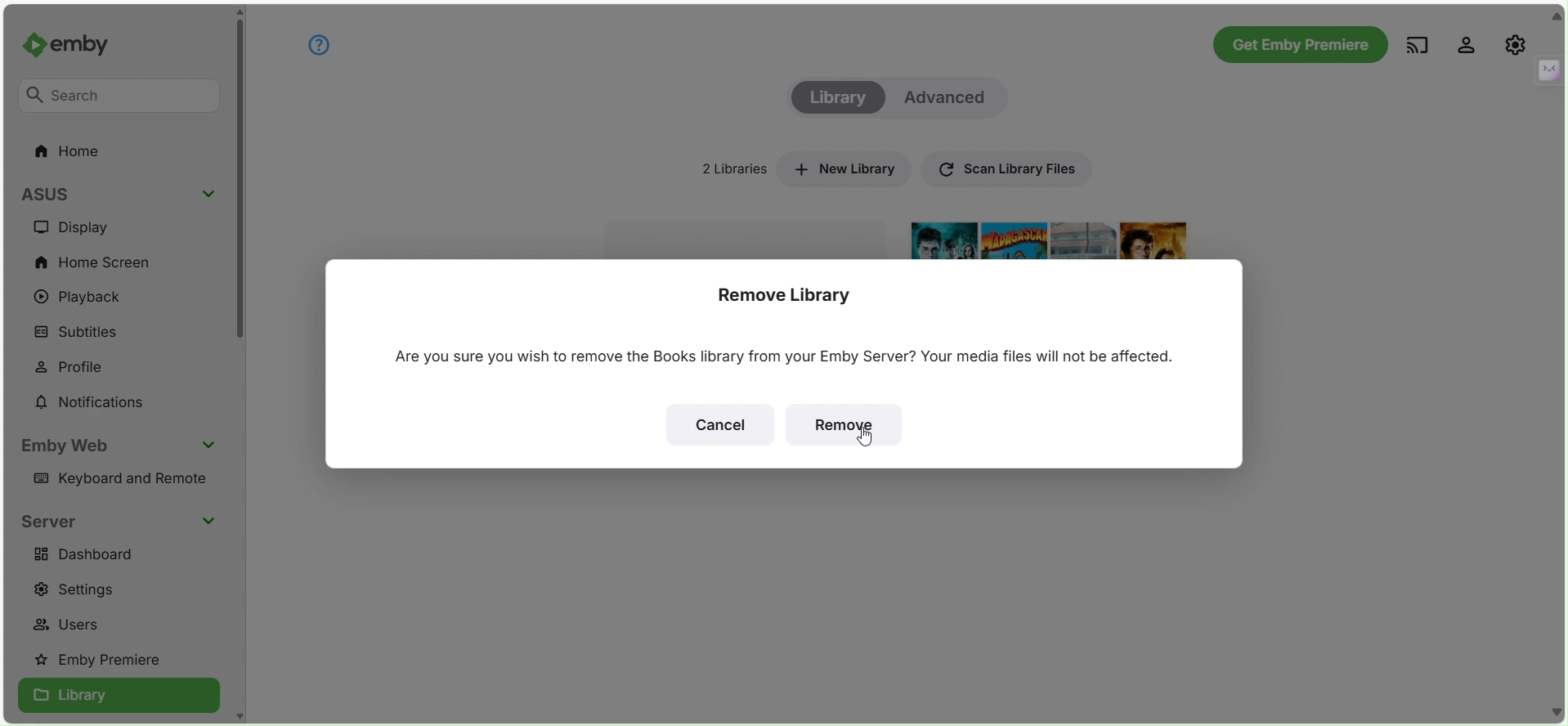 This screenshot has height=726, width=1568. What do you see at coordinates (1004, 167) in the screenshot?
I see `Scan Library Files` at bounding box center [1004, 167].